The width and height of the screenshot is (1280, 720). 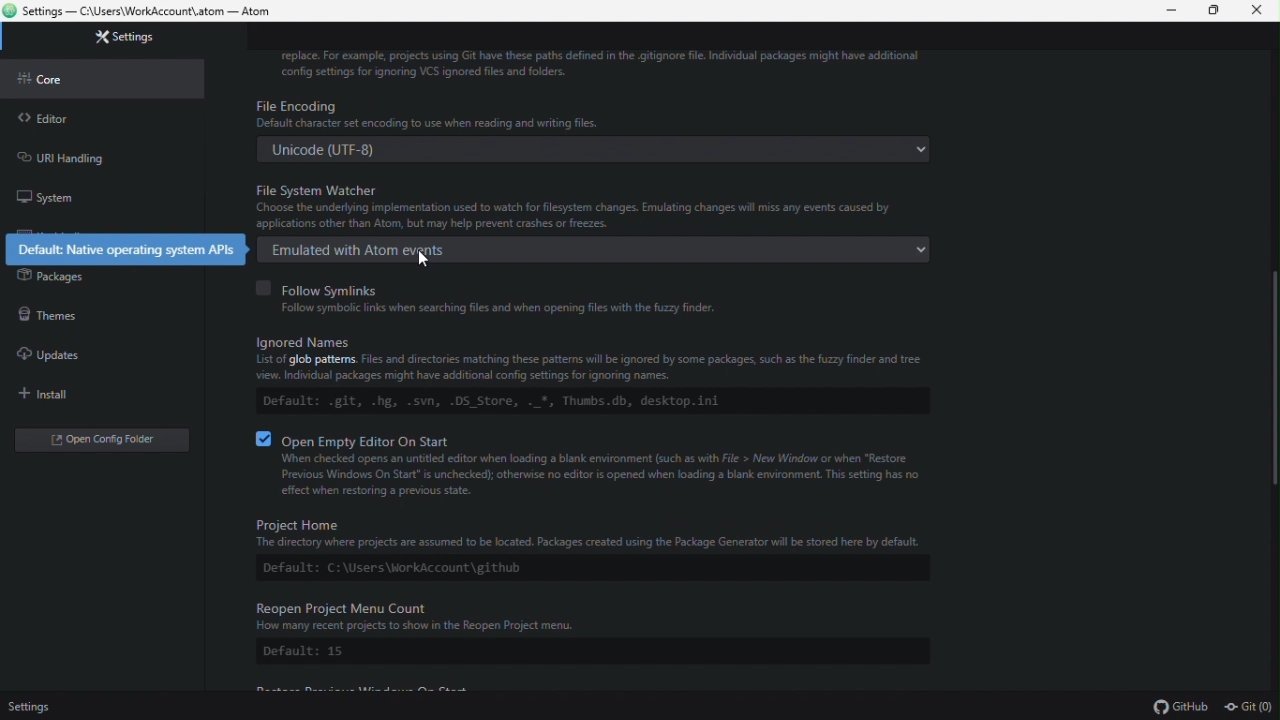 What do you see at coordinates (1176, 11) in the screenshot?
I see `minimize` at bounding box center [1176, 11].